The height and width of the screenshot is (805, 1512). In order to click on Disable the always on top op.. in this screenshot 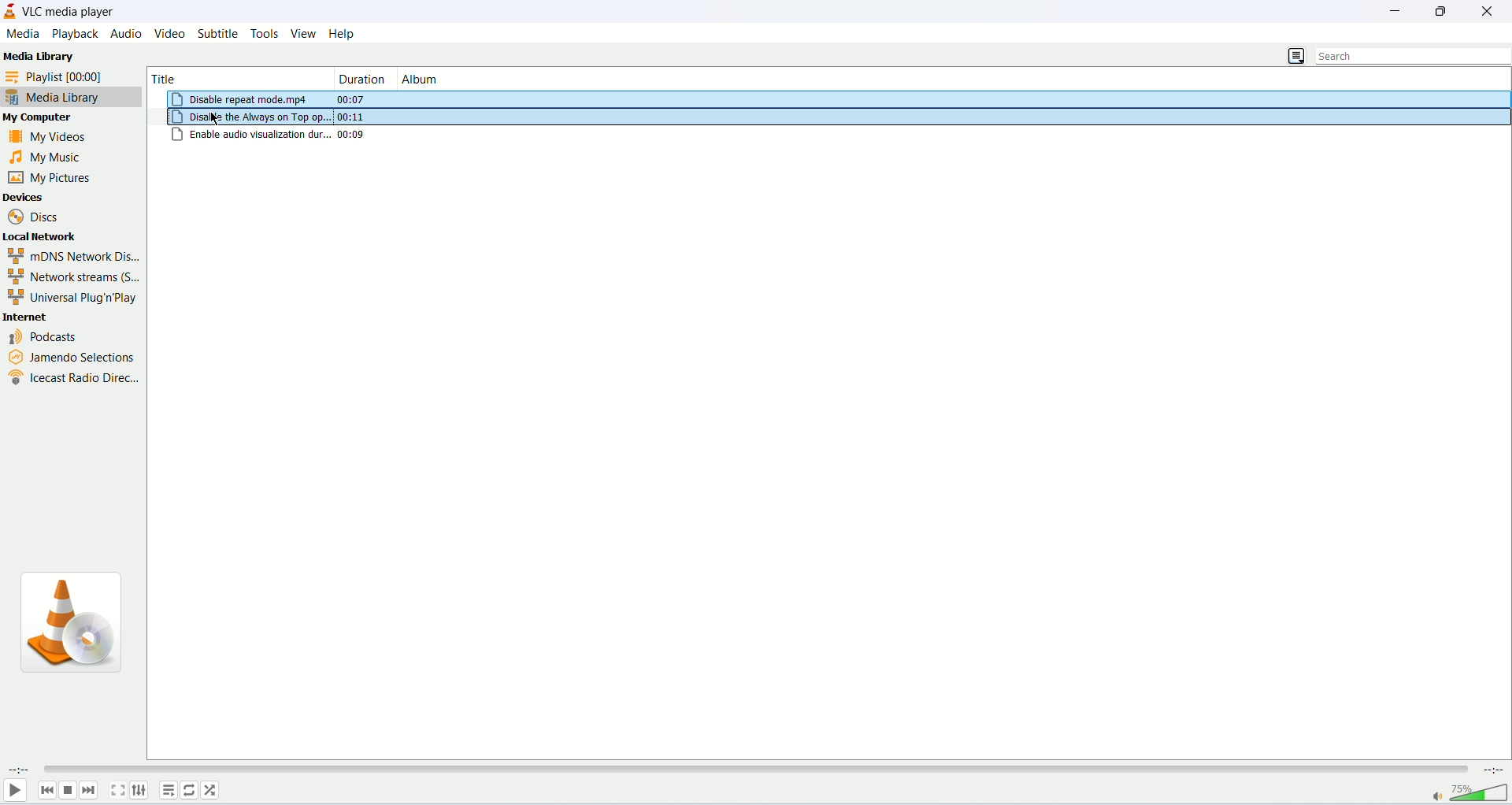, I will do `click(253, 117)`.